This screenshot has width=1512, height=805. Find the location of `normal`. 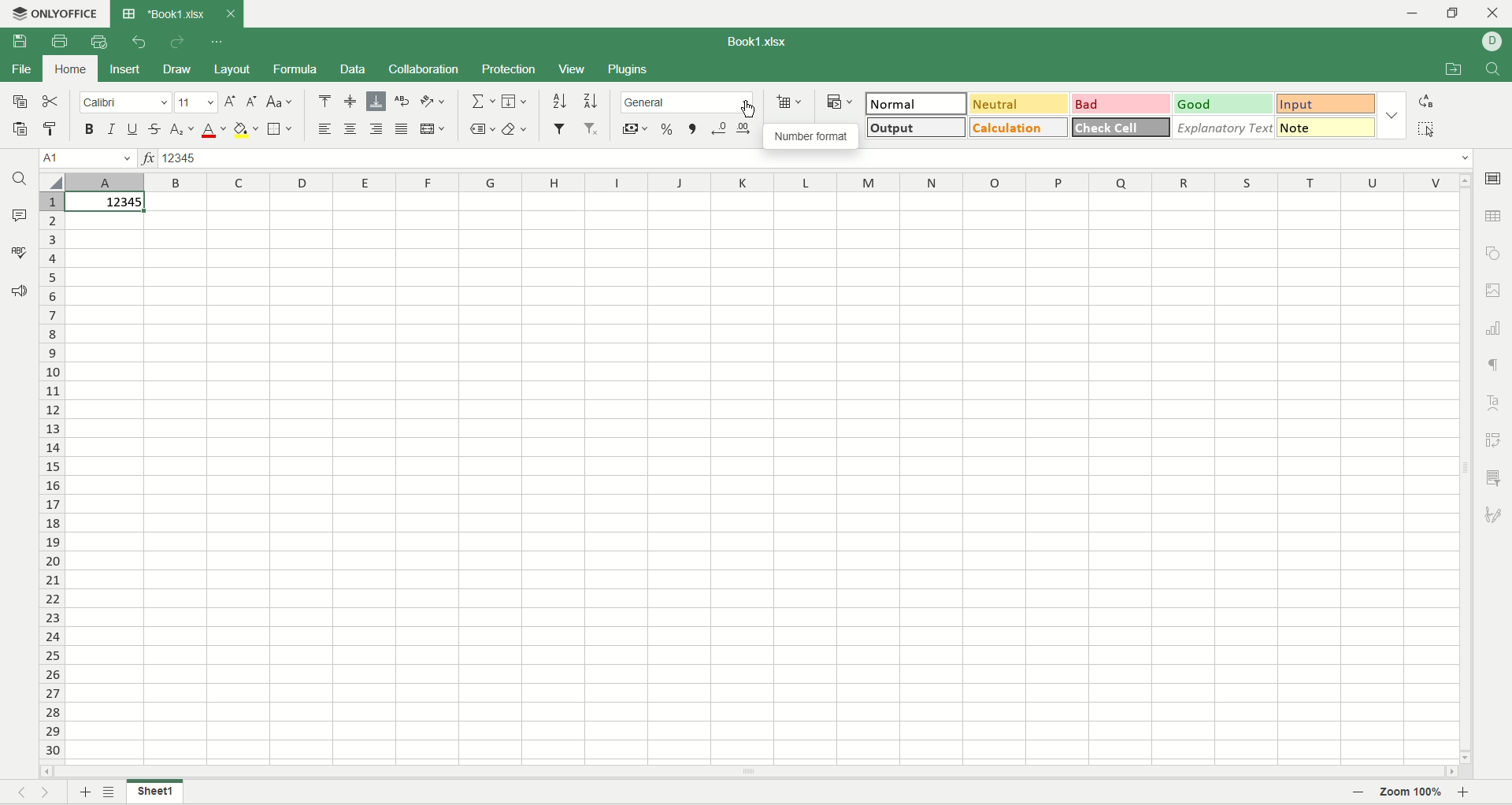

normal is located at coordinates (917, 103).